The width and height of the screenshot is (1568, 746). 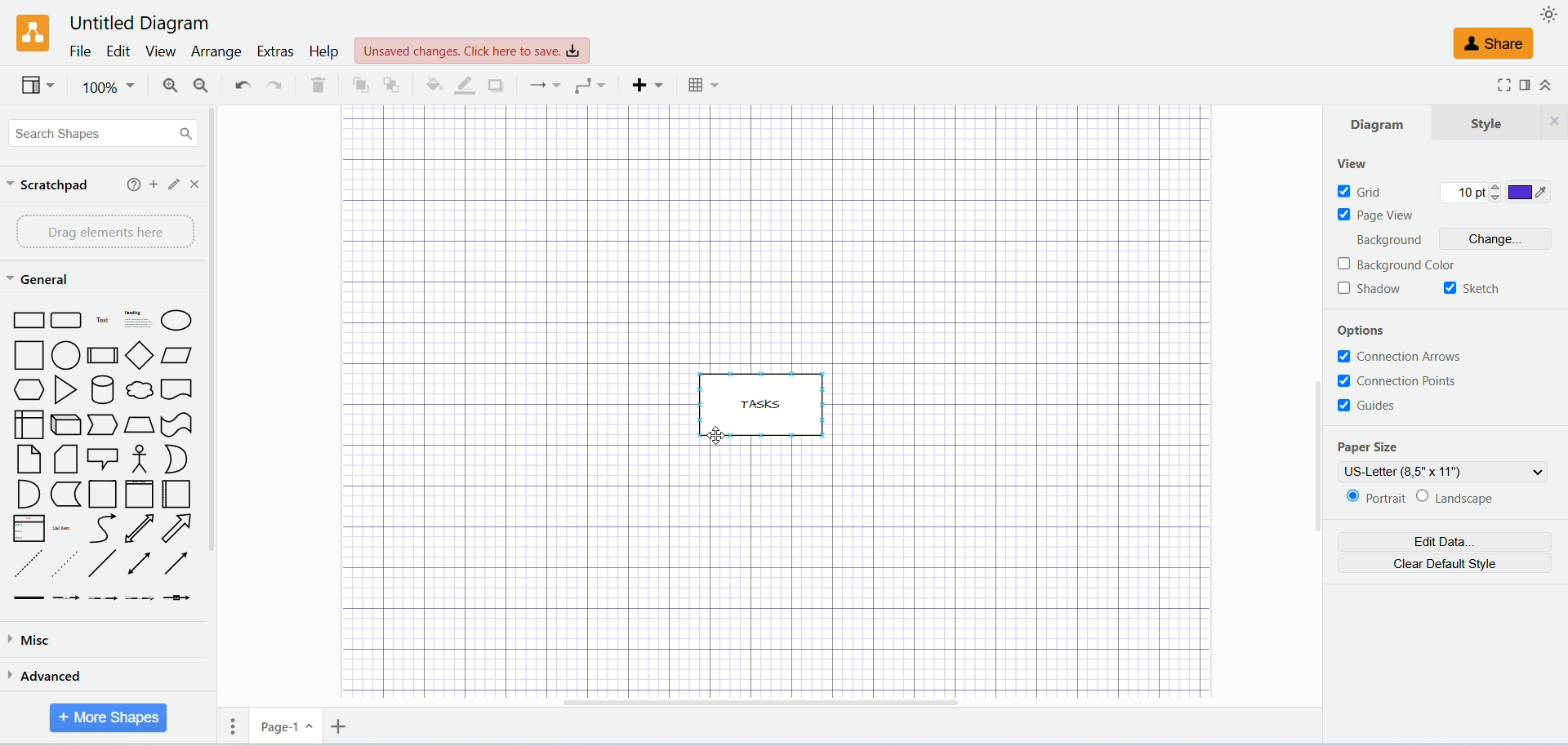 I want to click on table, so click(x=706, y=85).